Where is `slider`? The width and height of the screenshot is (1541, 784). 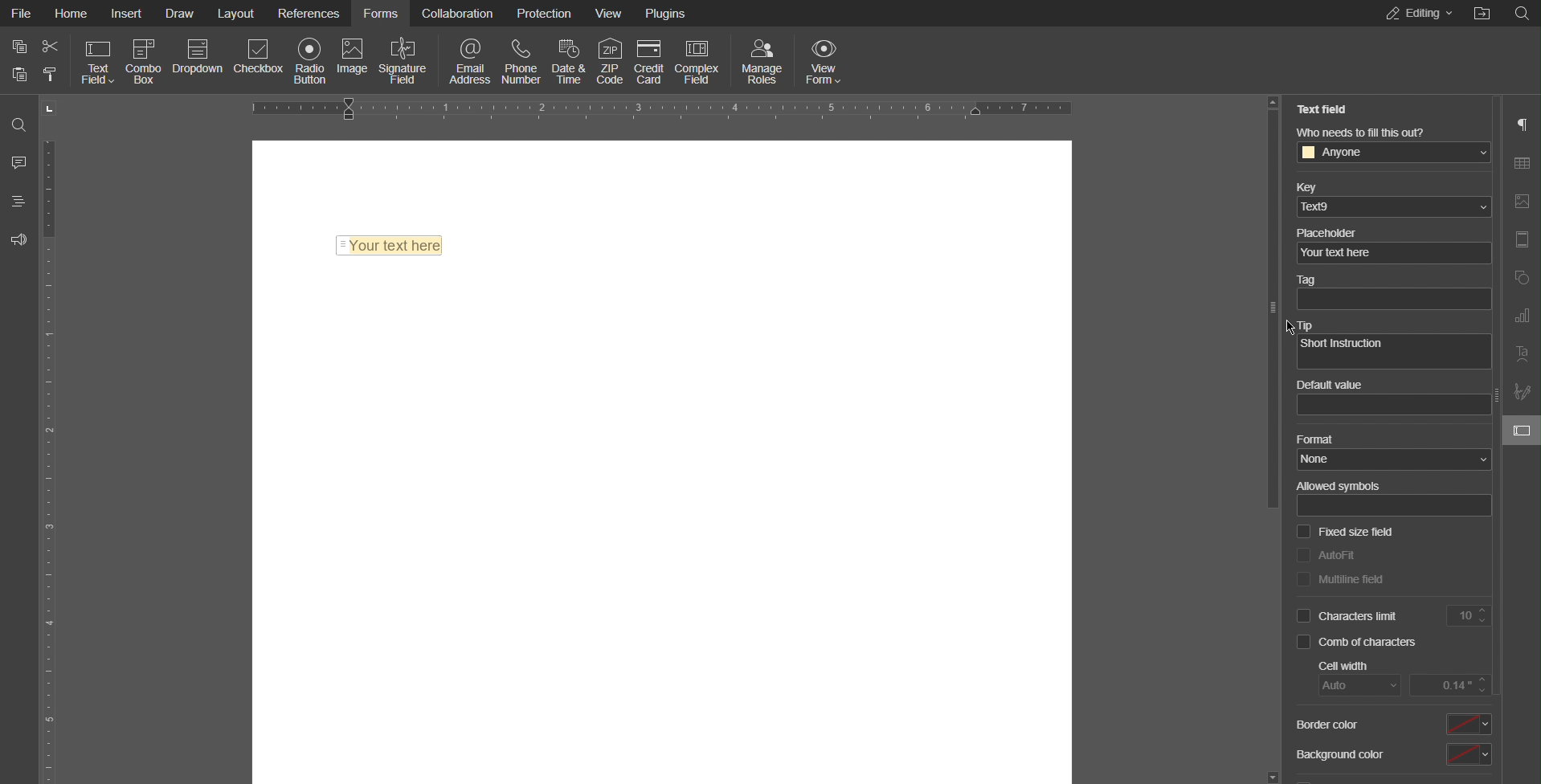
slider is located at coordinates (1273, 308).